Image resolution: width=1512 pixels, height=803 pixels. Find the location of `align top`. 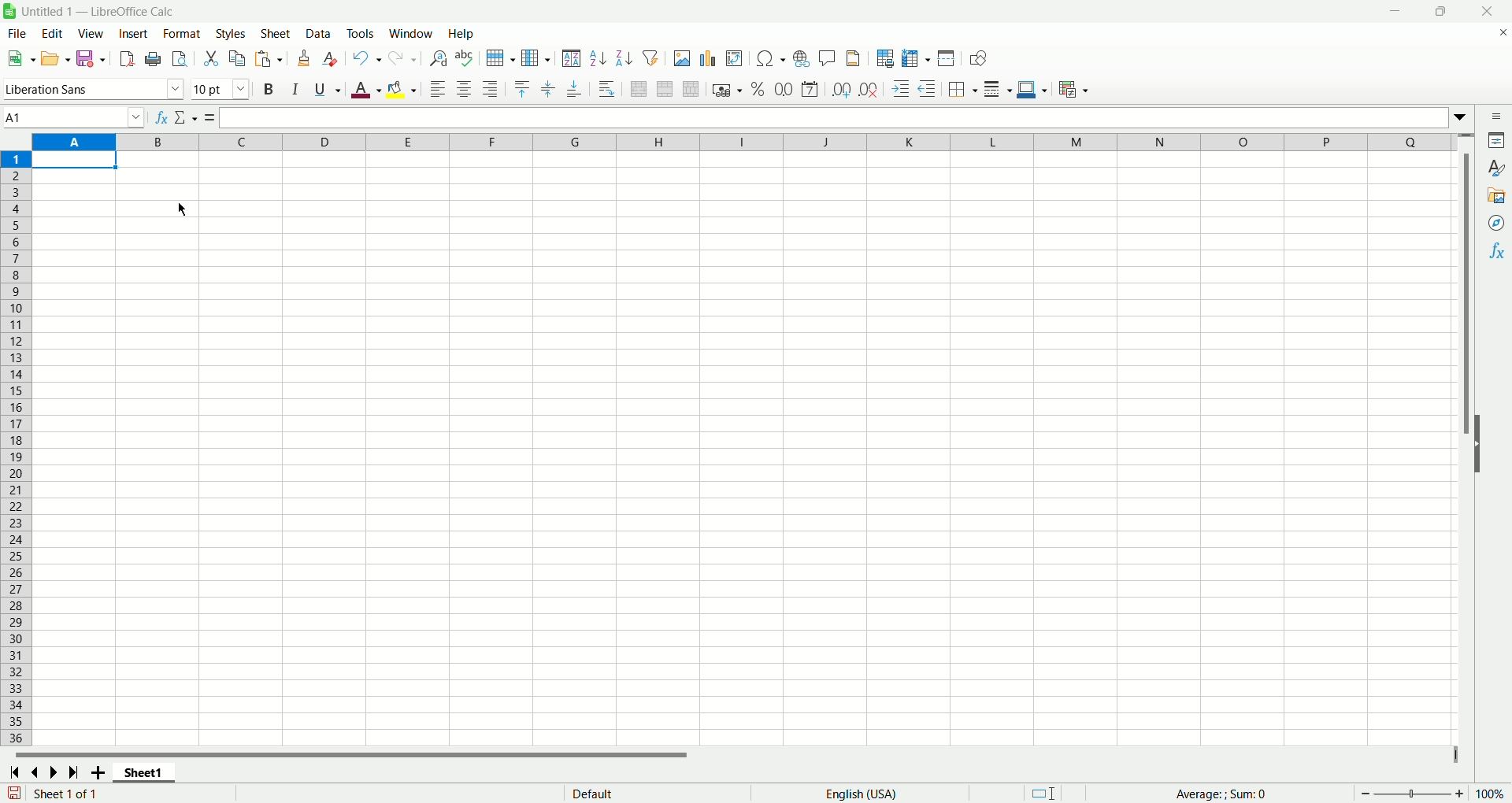

align top is located at coordinates (521, 87).